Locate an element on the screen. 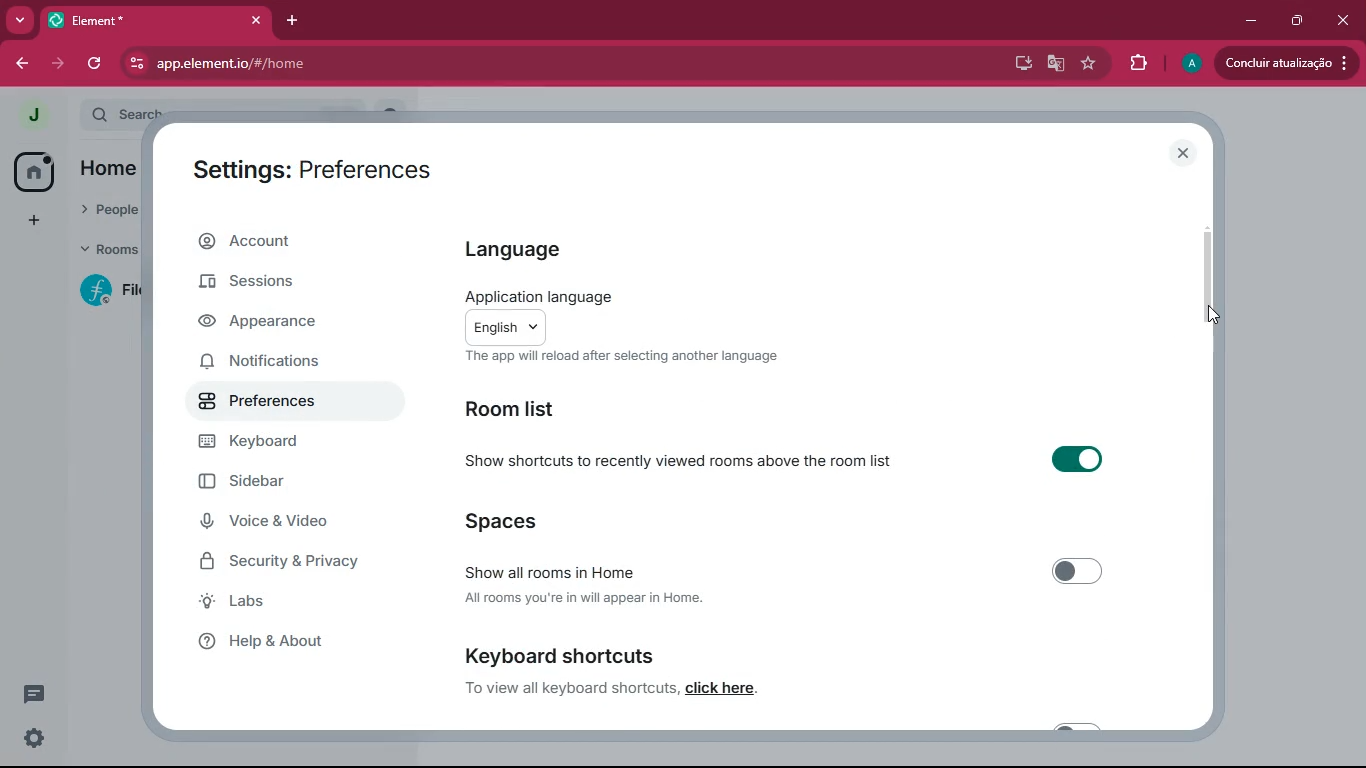 Image resolution: width=1366 pixels, height=768 pixels. The app will reload after selecting another language is located at coordinates (632, 360).